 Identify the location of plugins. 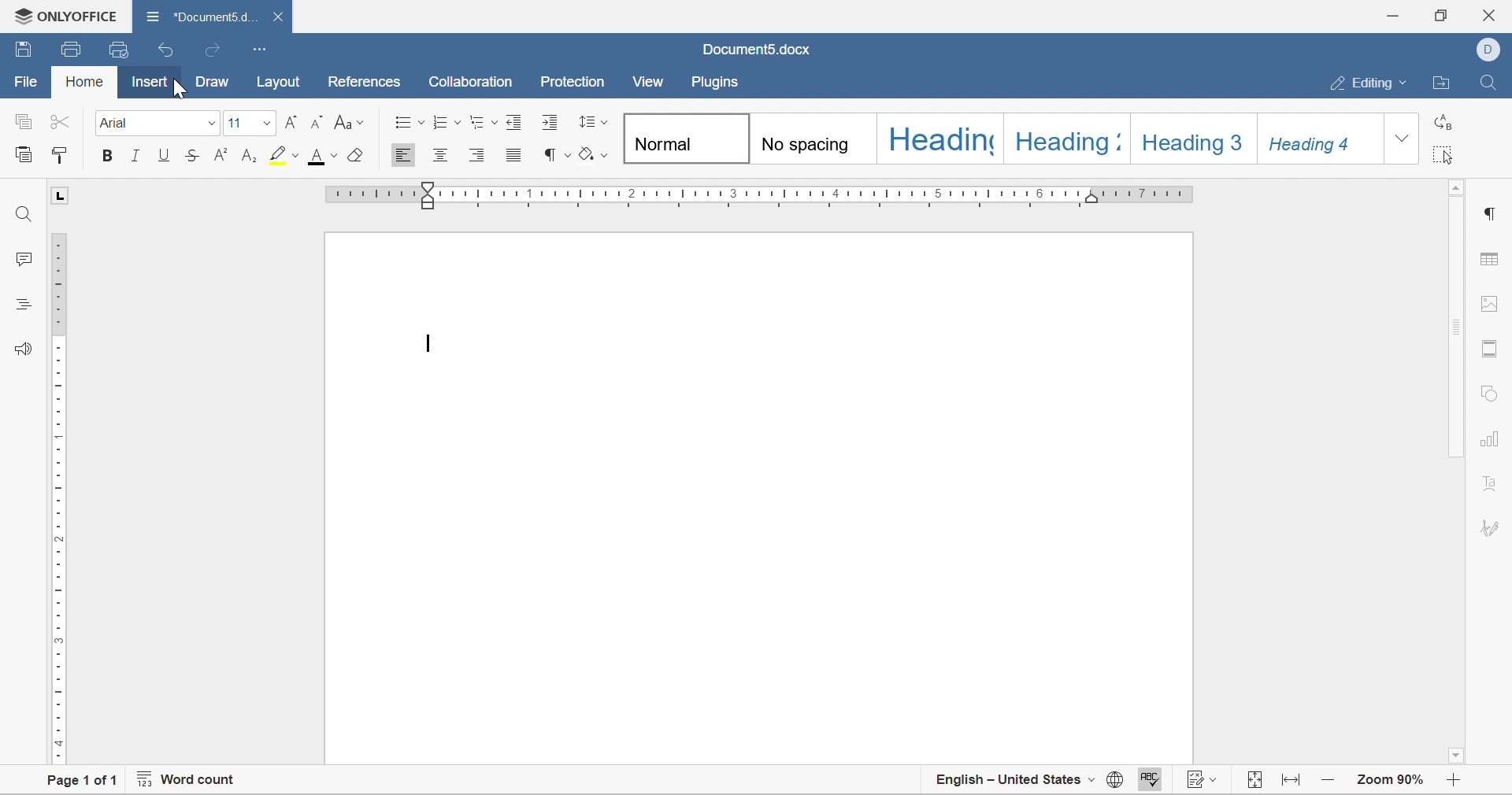
(717, 85).